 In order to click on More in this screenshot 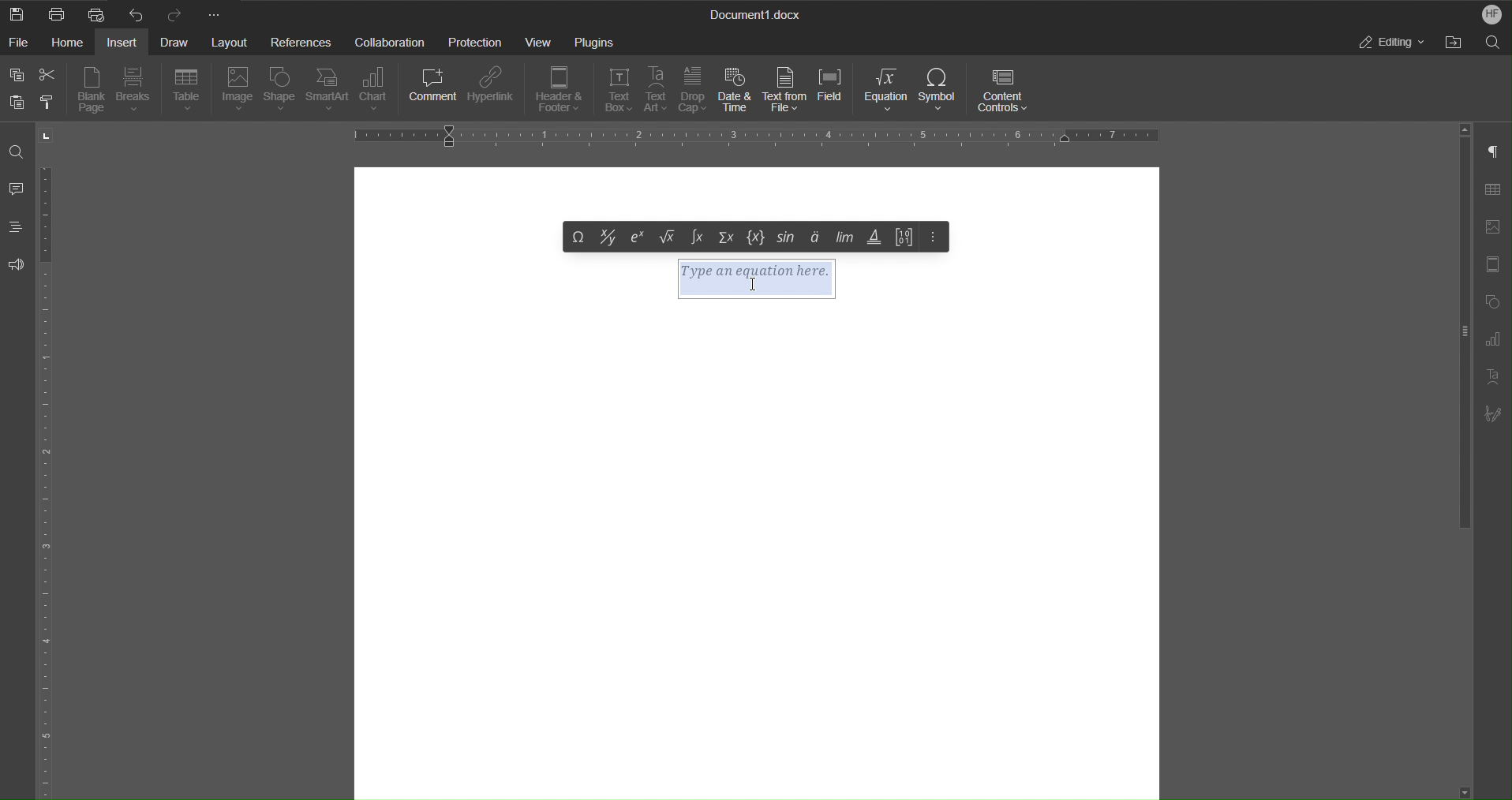, I will do `click(934, 235)`.